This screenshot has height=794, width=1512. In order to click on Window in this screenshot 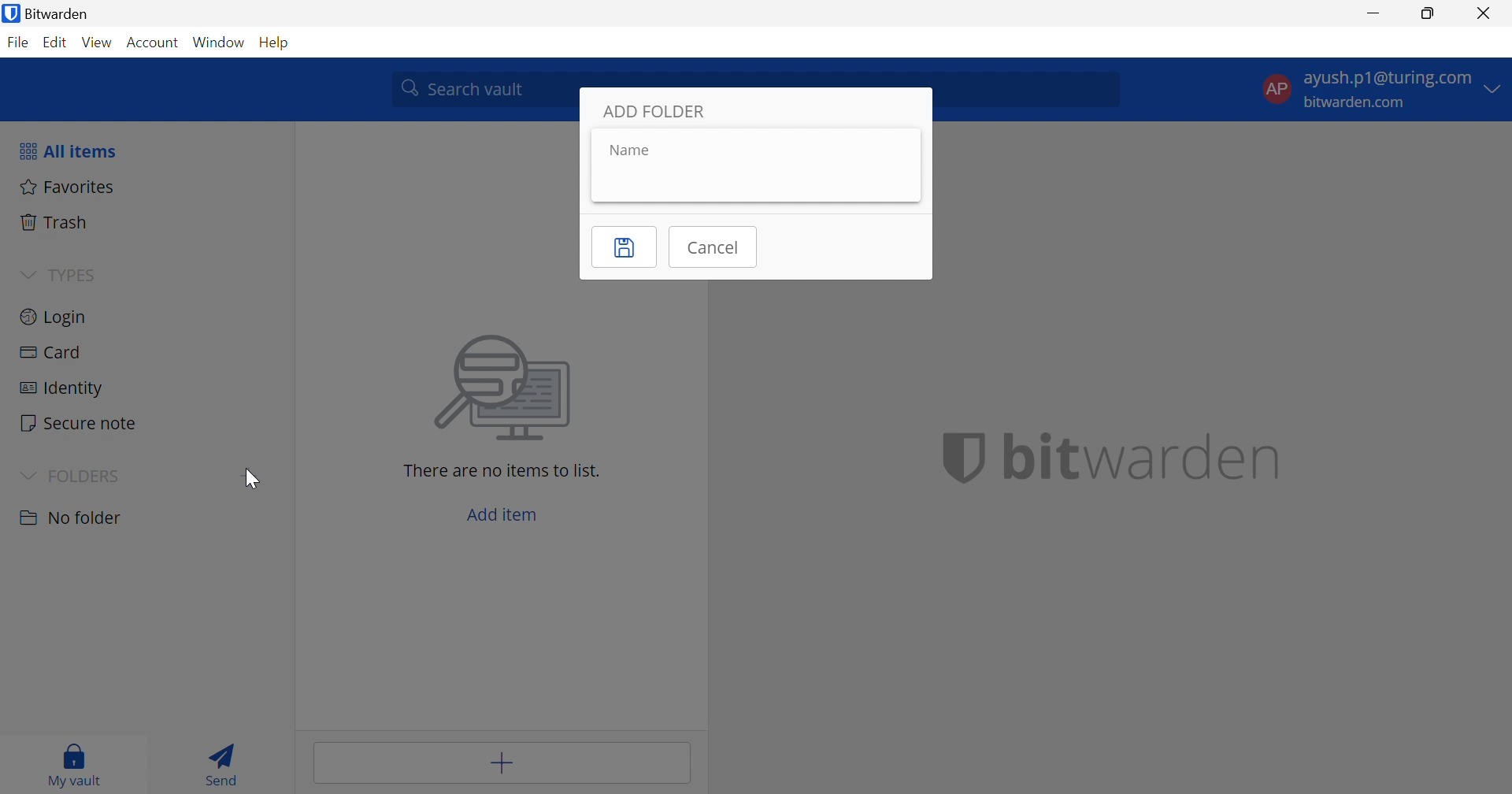, I will do `click(217, 42)`.